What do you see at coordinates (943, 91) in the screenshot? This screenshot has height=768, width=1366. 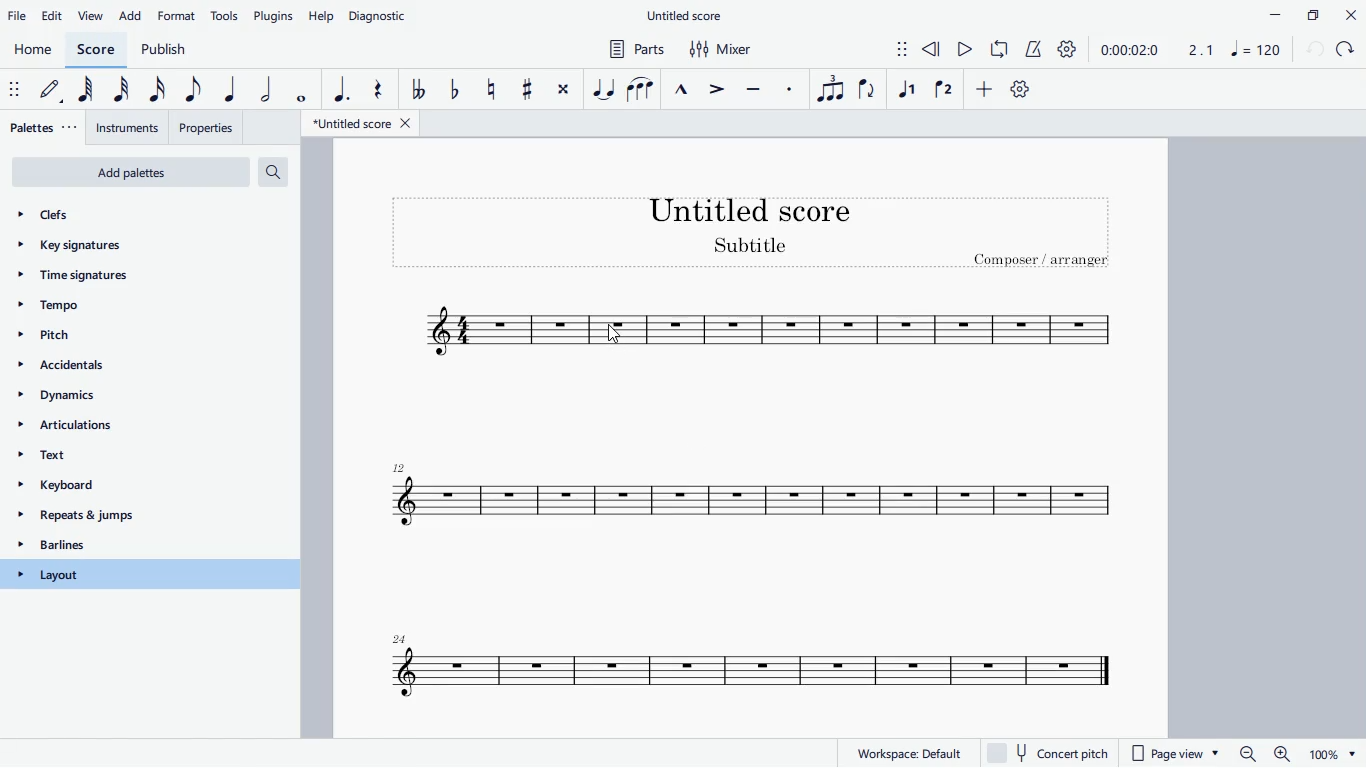 I see `voice 2` at bounding box center [943, 91].